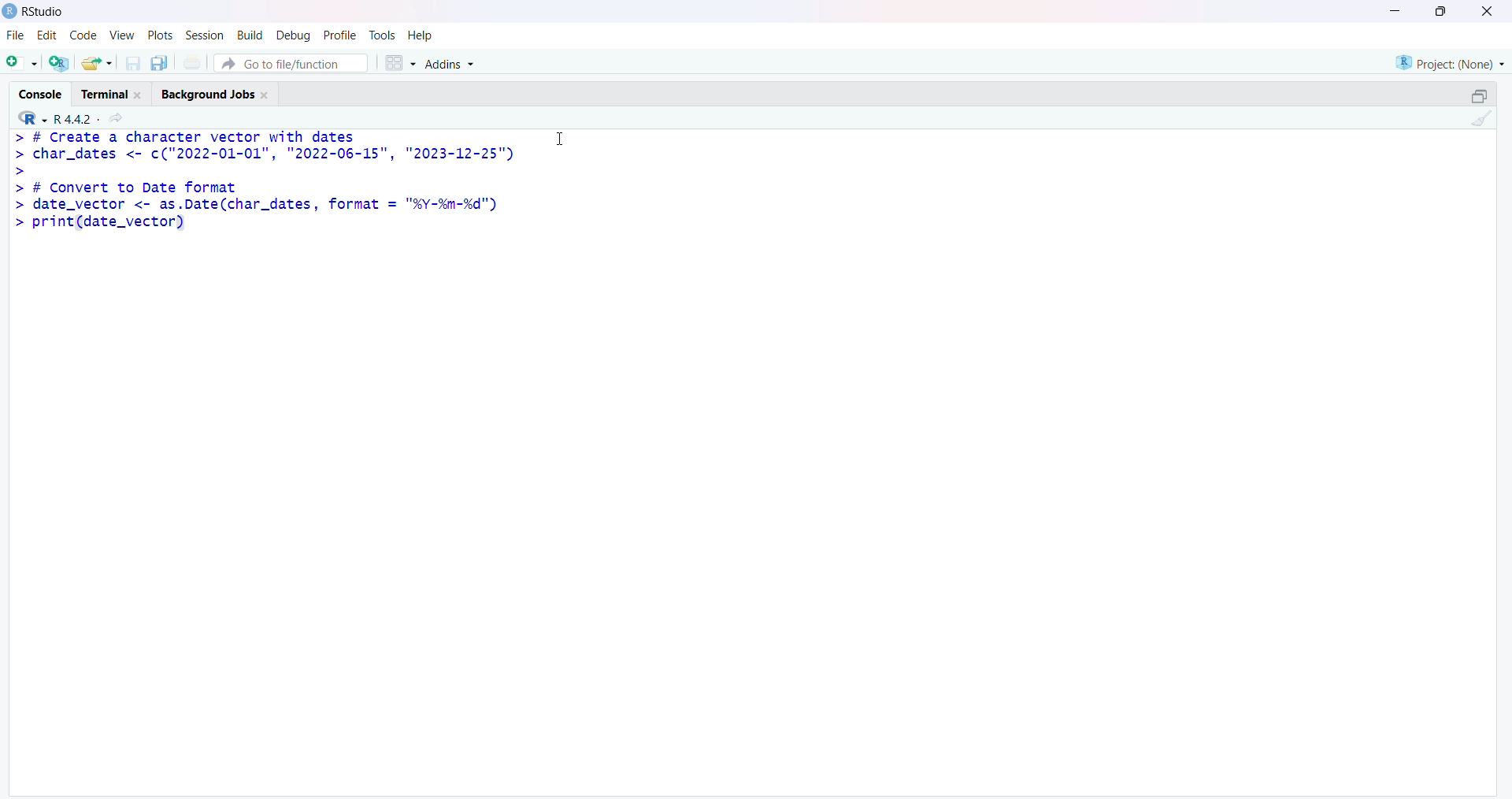 This screenshot has height=799, width=1512. Describe the element at coordinates (164, 61) in the screenshot. I see `Save all open documents (Ctrl + Alt + S)` at that location.